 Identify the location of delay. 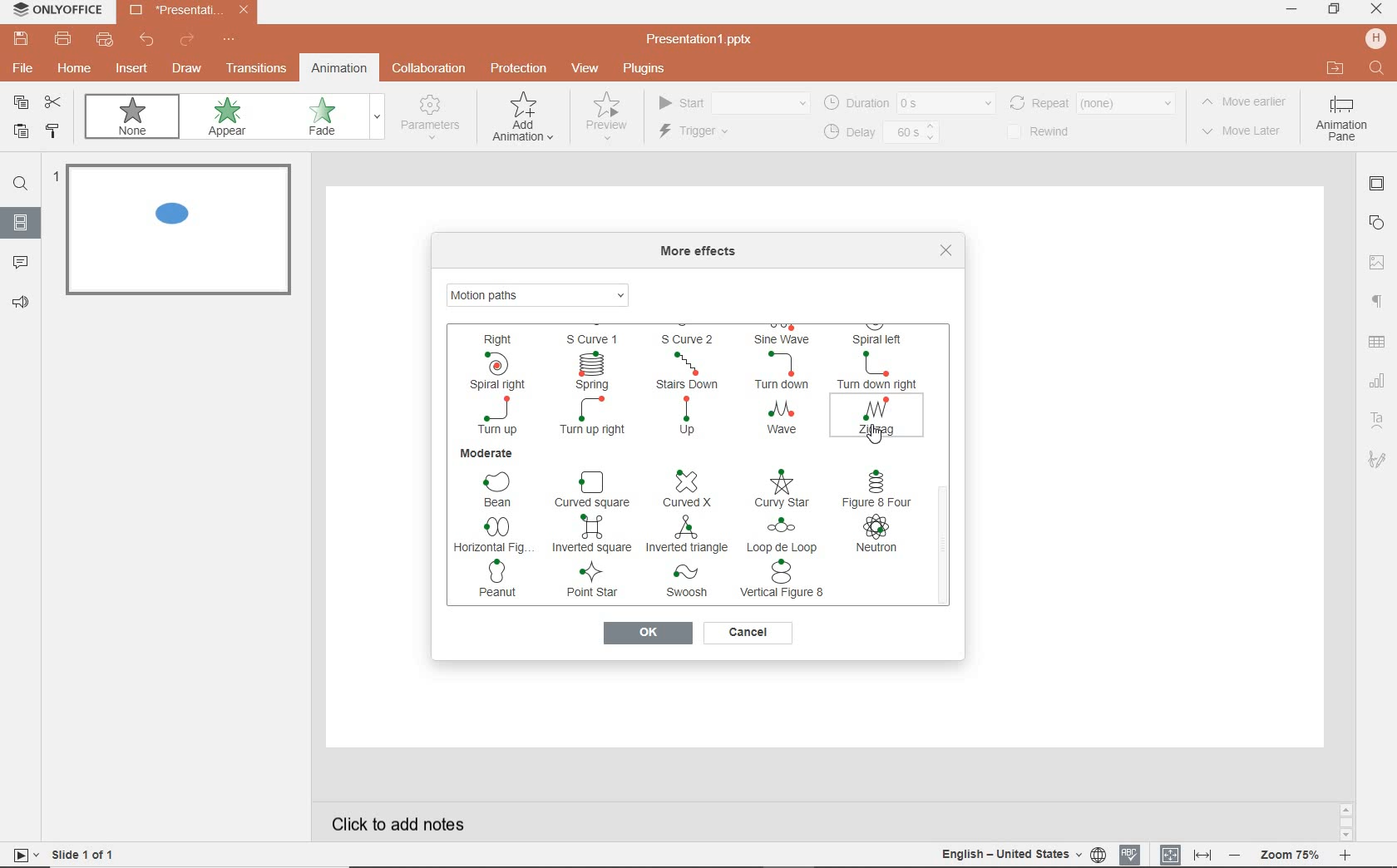
(880, 133).